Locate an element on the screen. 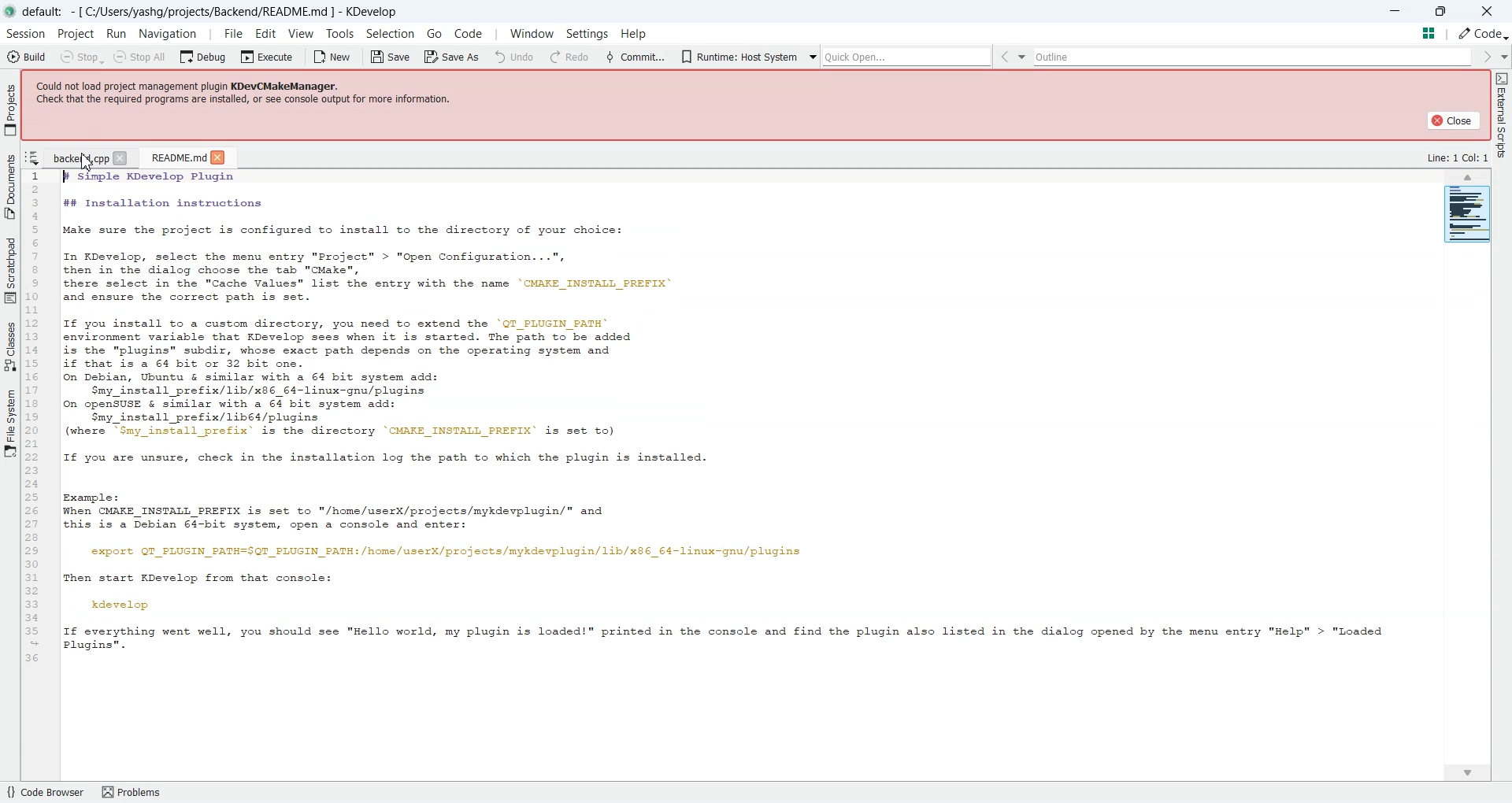 The width and height of the screenshot is (1512, 803). Code is located at coordinates (1473, 33).